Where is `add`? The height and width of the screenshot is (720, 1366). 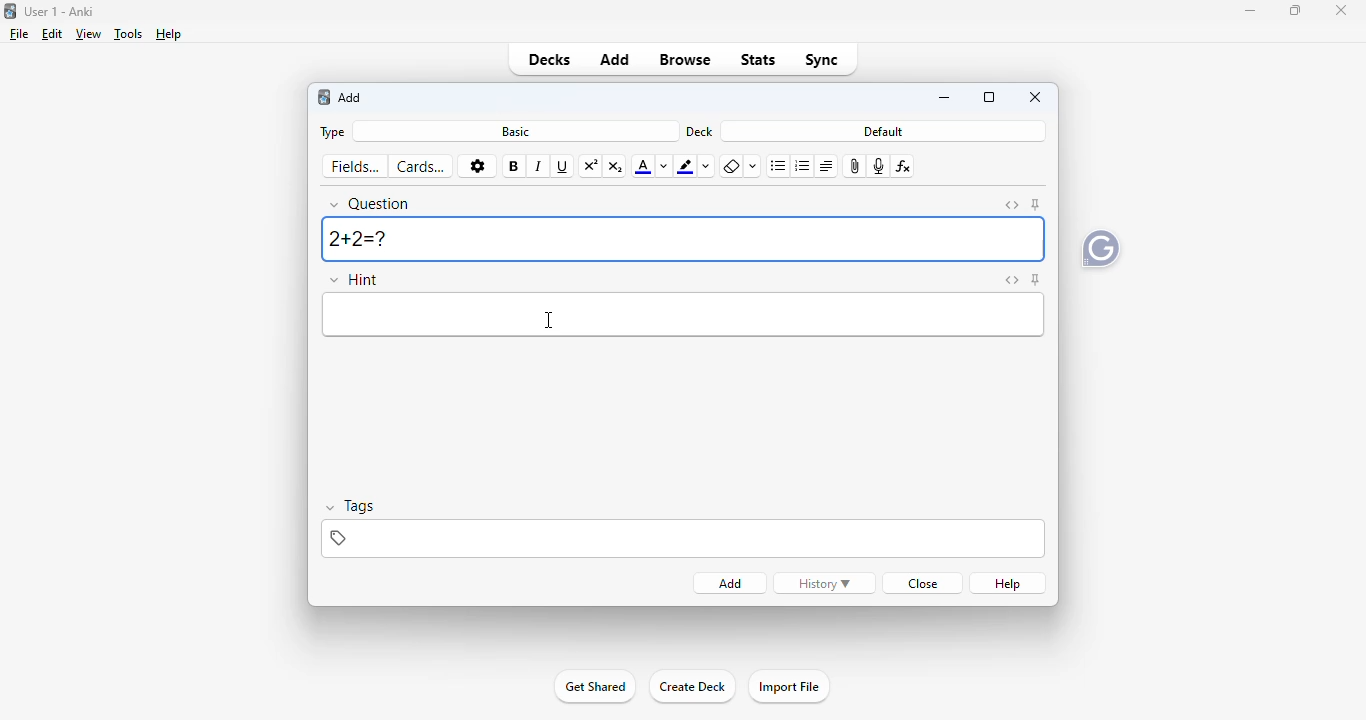 add is located at coordinates (732, 584).